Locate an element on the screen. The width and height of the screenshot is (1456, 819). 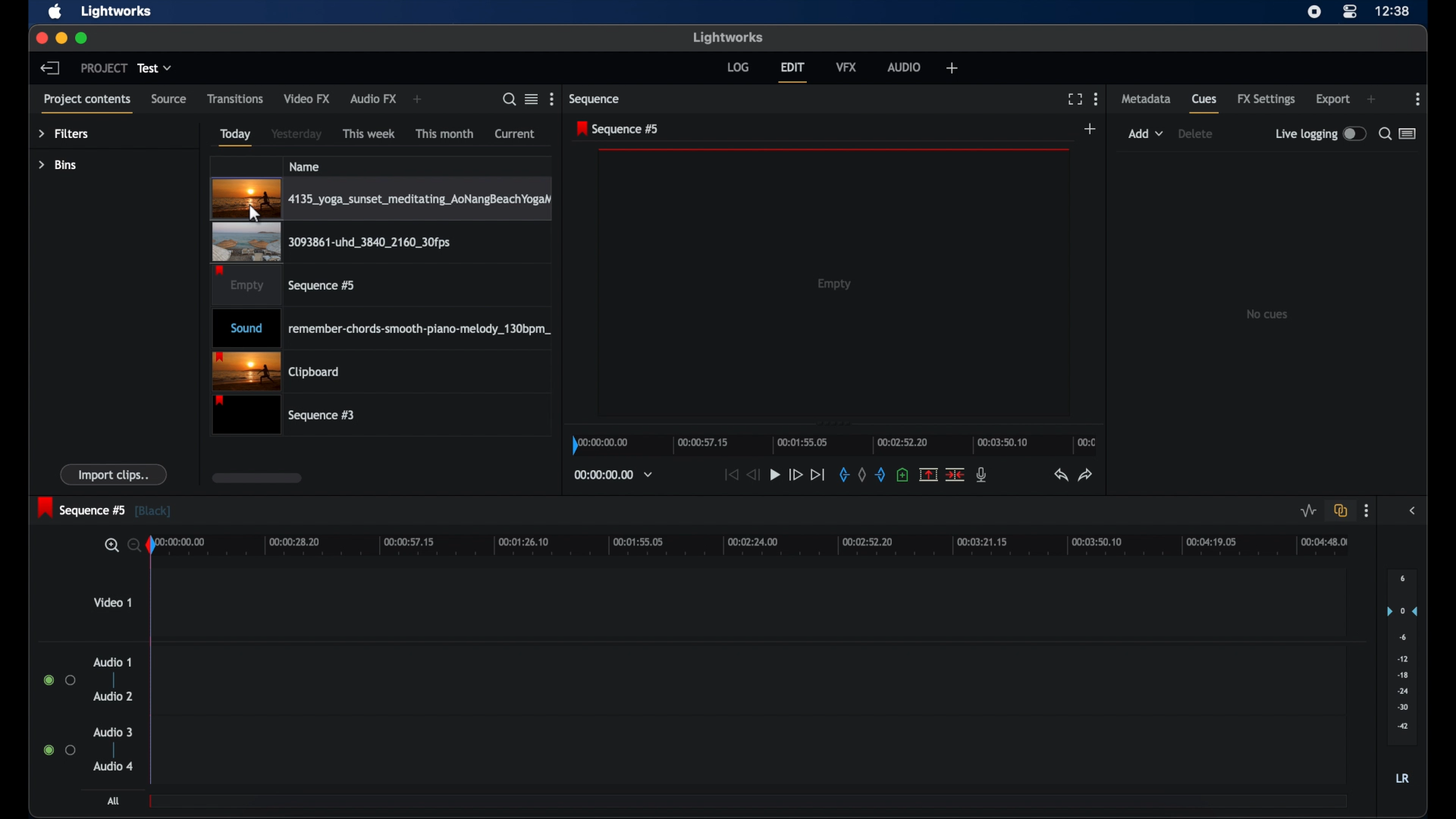
video clip is located at coordinates (381, 199).